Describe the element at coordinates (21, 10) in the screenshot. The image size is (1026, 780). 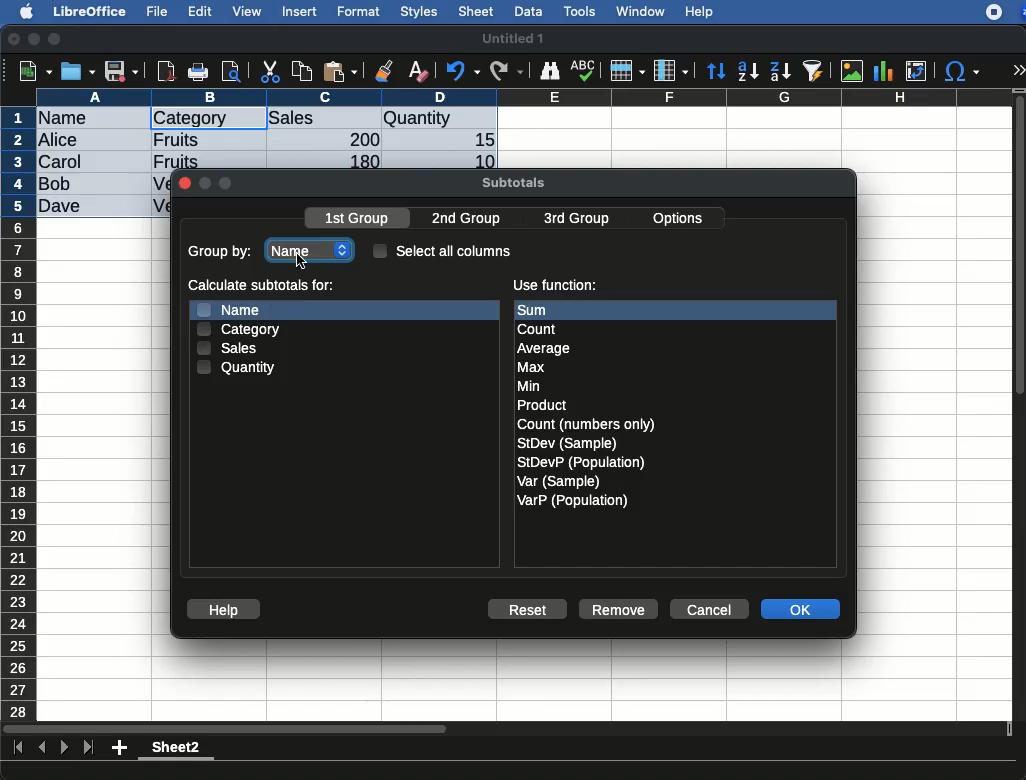
I see `apple` at that location.